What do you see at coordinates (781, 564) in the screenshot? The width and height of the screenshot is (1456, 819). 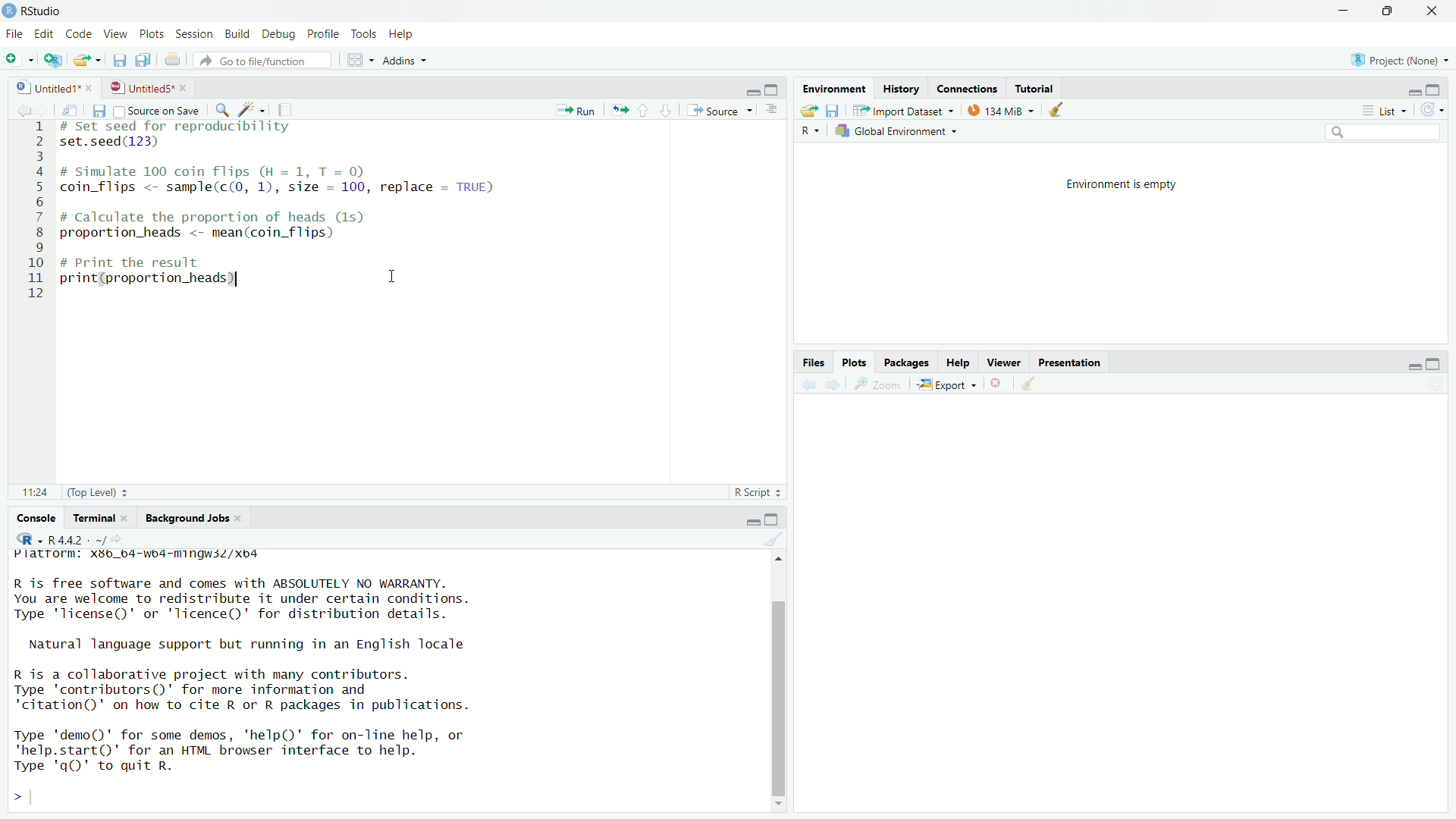 I see `move top` at bounding box center [781, 564].